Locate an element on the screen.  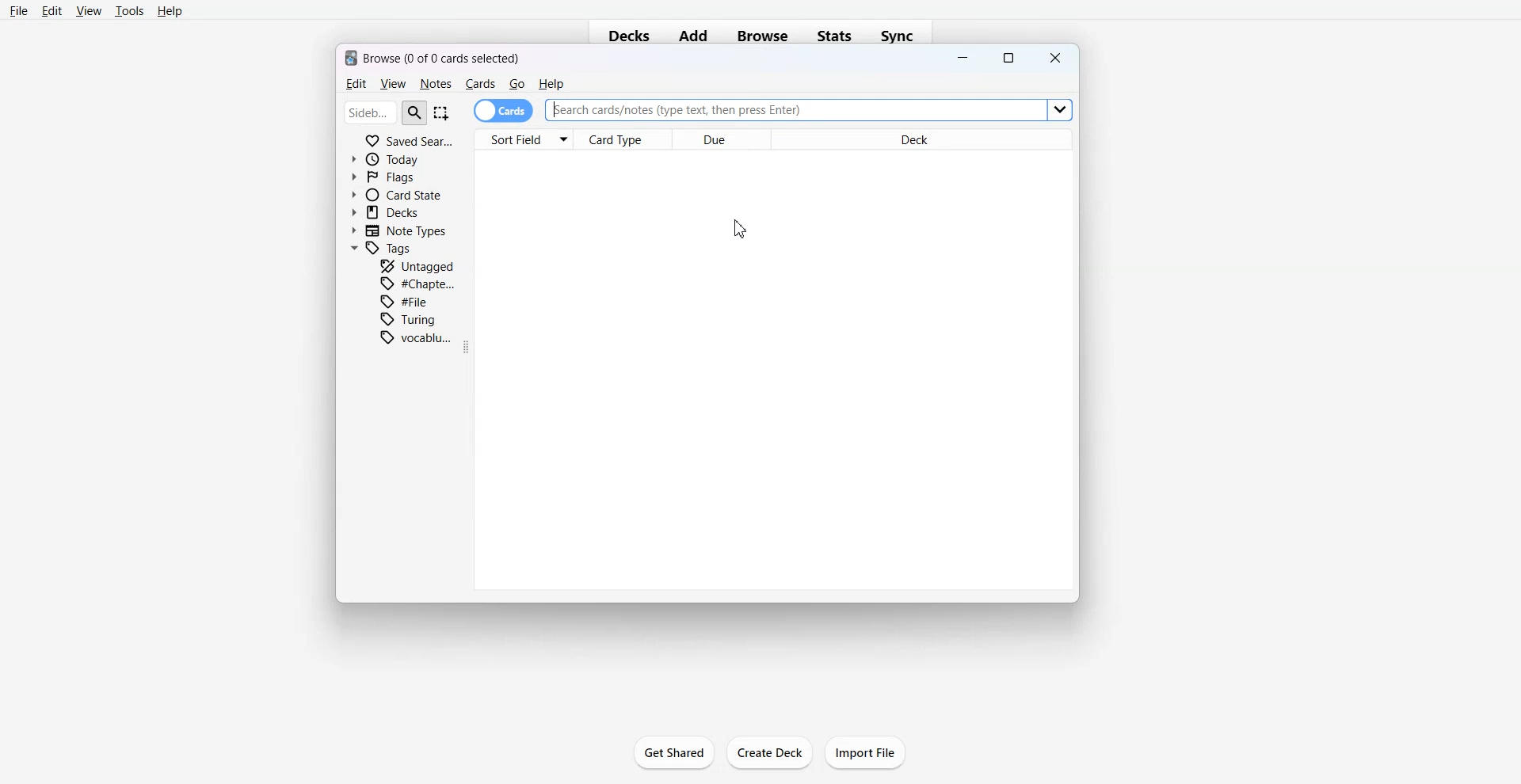
Browse is located at coordinates (762, 36).